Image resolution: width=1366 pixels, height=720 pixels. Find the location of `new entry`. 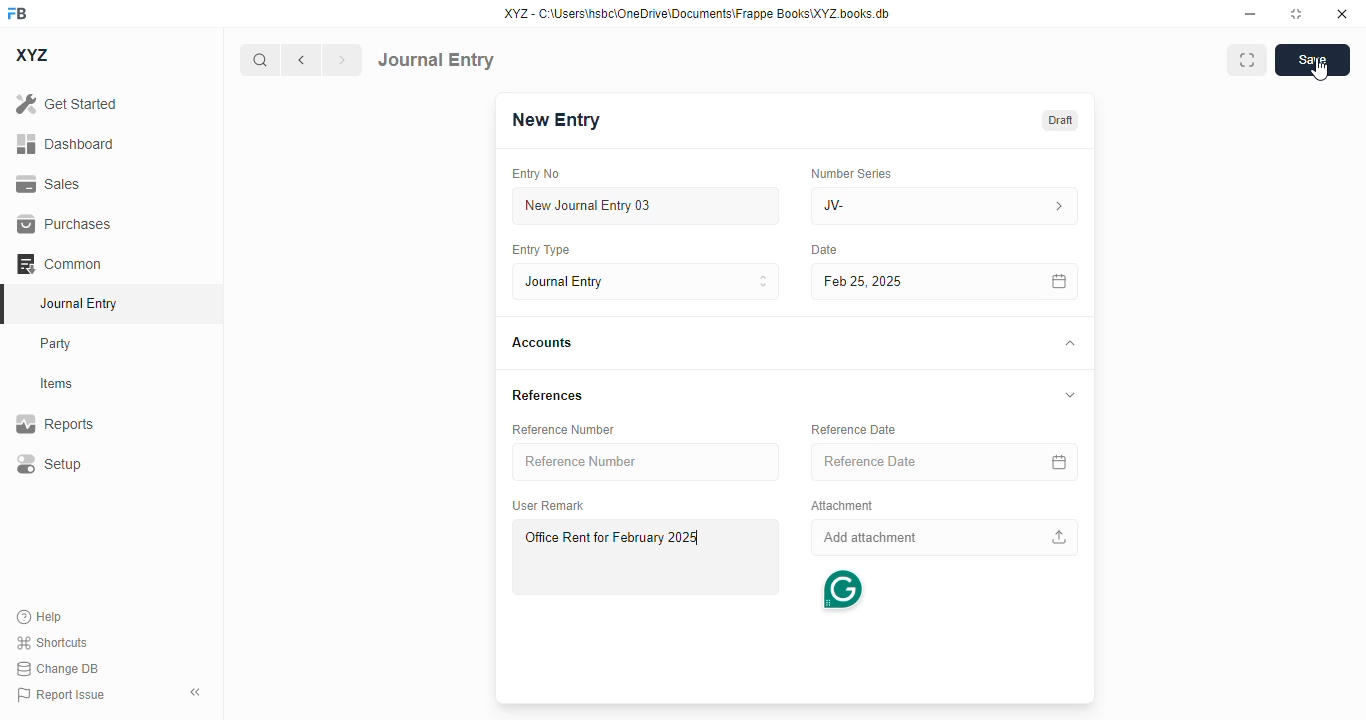

new entry is located at coordinates (554, 120).